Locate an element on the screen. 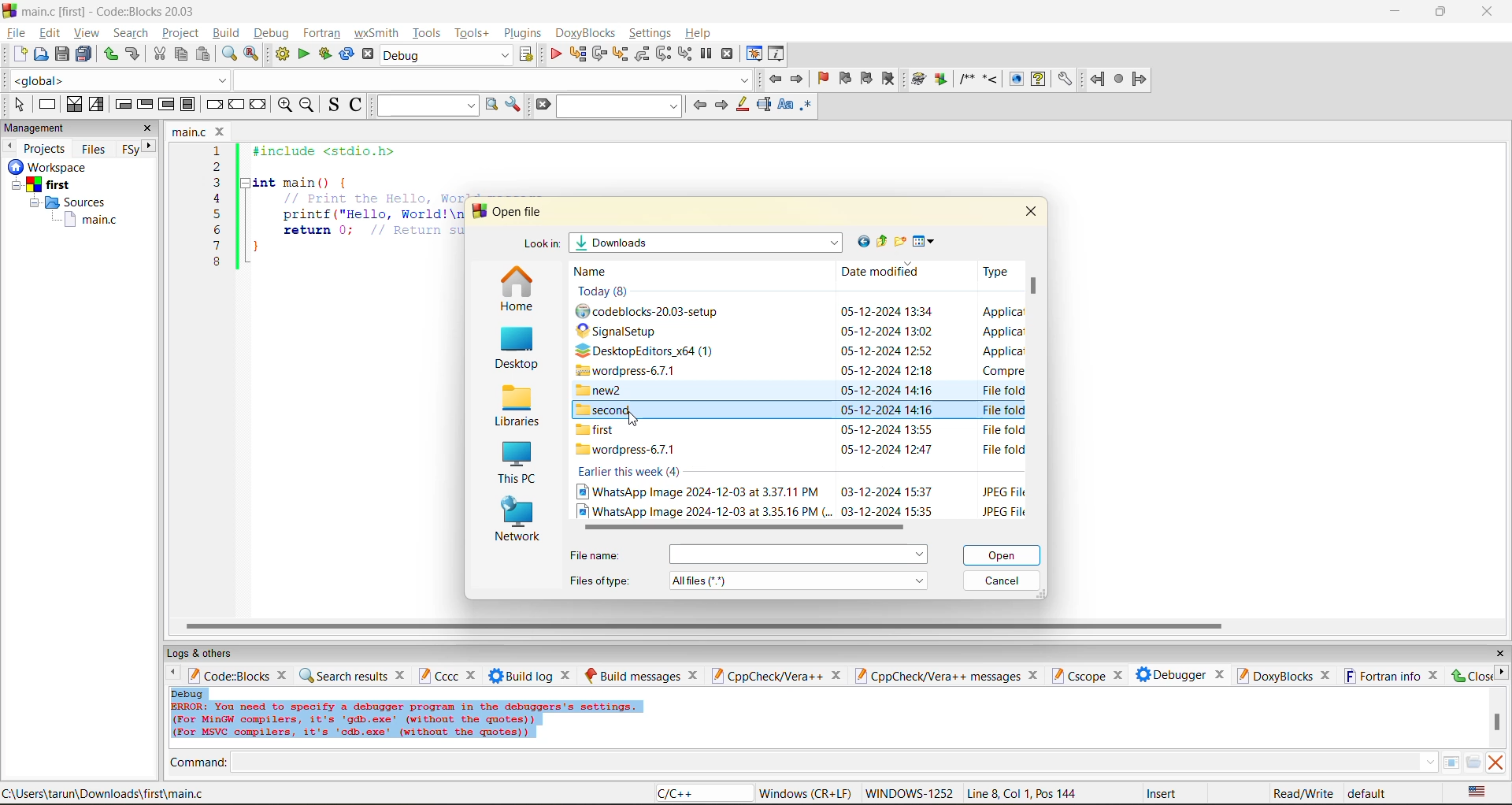 Image resolution: width=1512 pixels, height=805 pixels. save is located at coordinates (63, 54).